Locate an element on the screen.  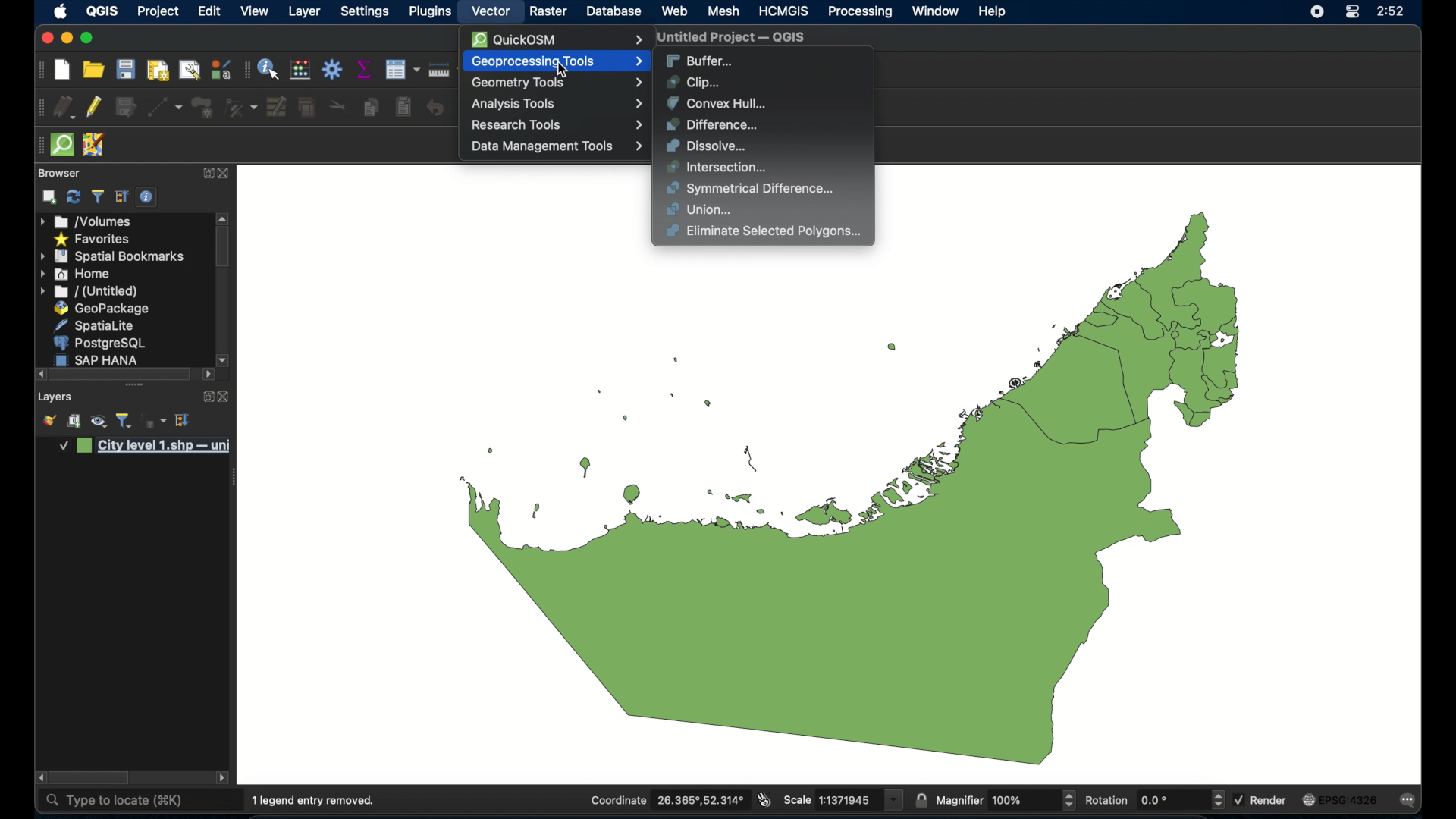
scroll box is located at coordinates (92, 778).